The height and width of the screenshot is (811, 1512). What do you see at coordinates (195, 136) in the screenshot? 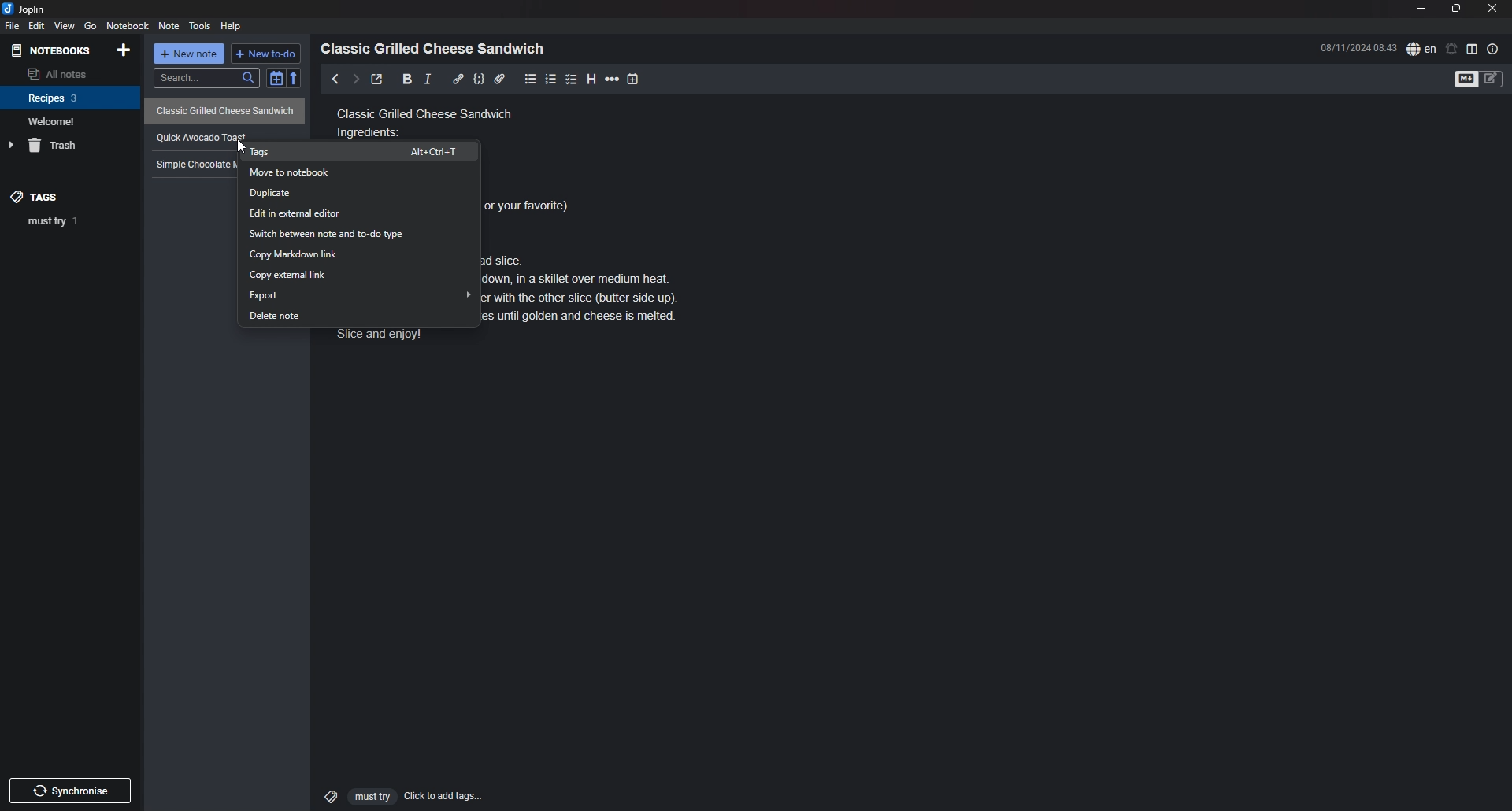
I see `recipe` at bounding box center [195, 136].